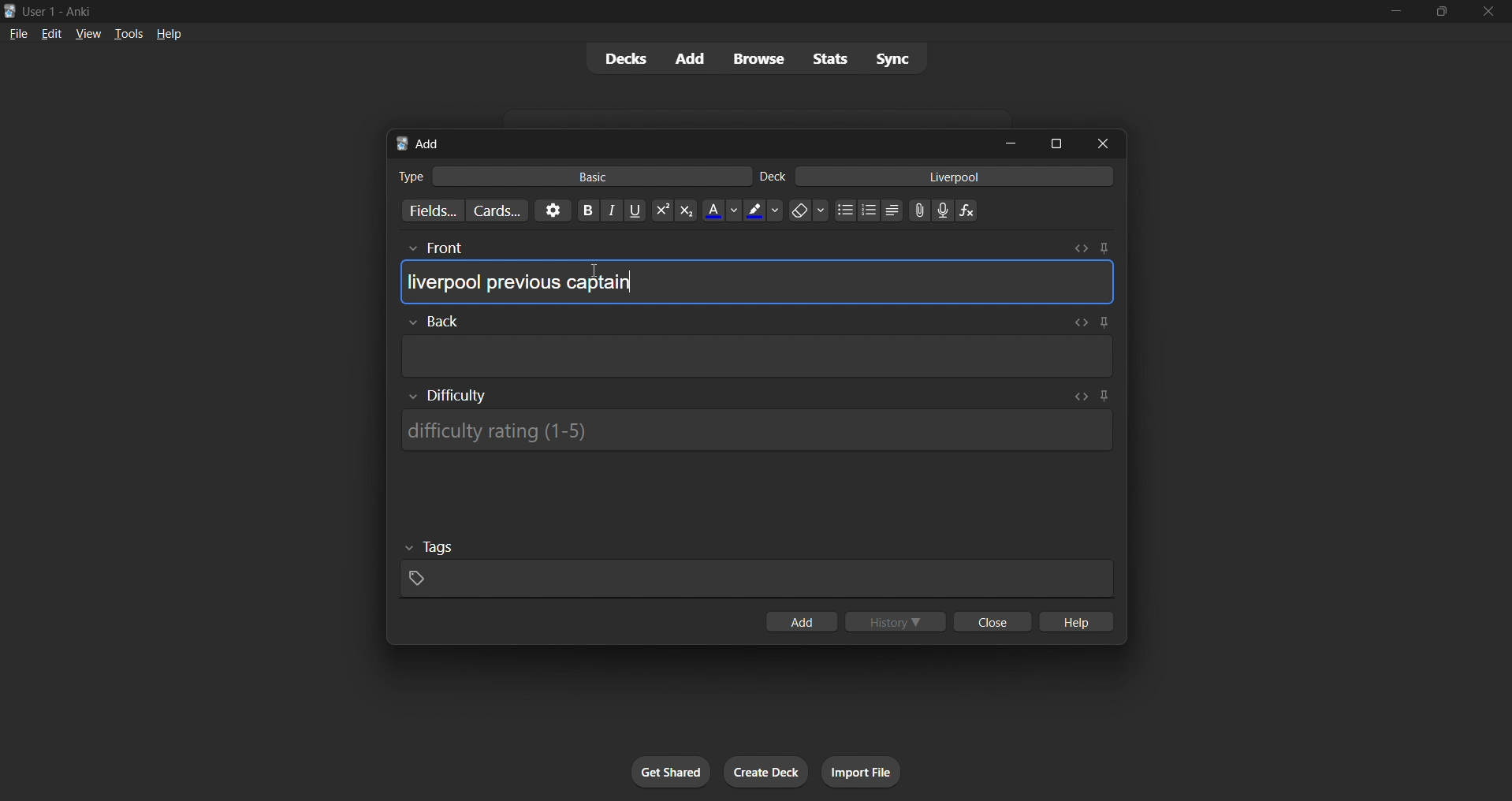  Describe the element at coordinates (550, 210) in the screenshot. I see `options` at that location.